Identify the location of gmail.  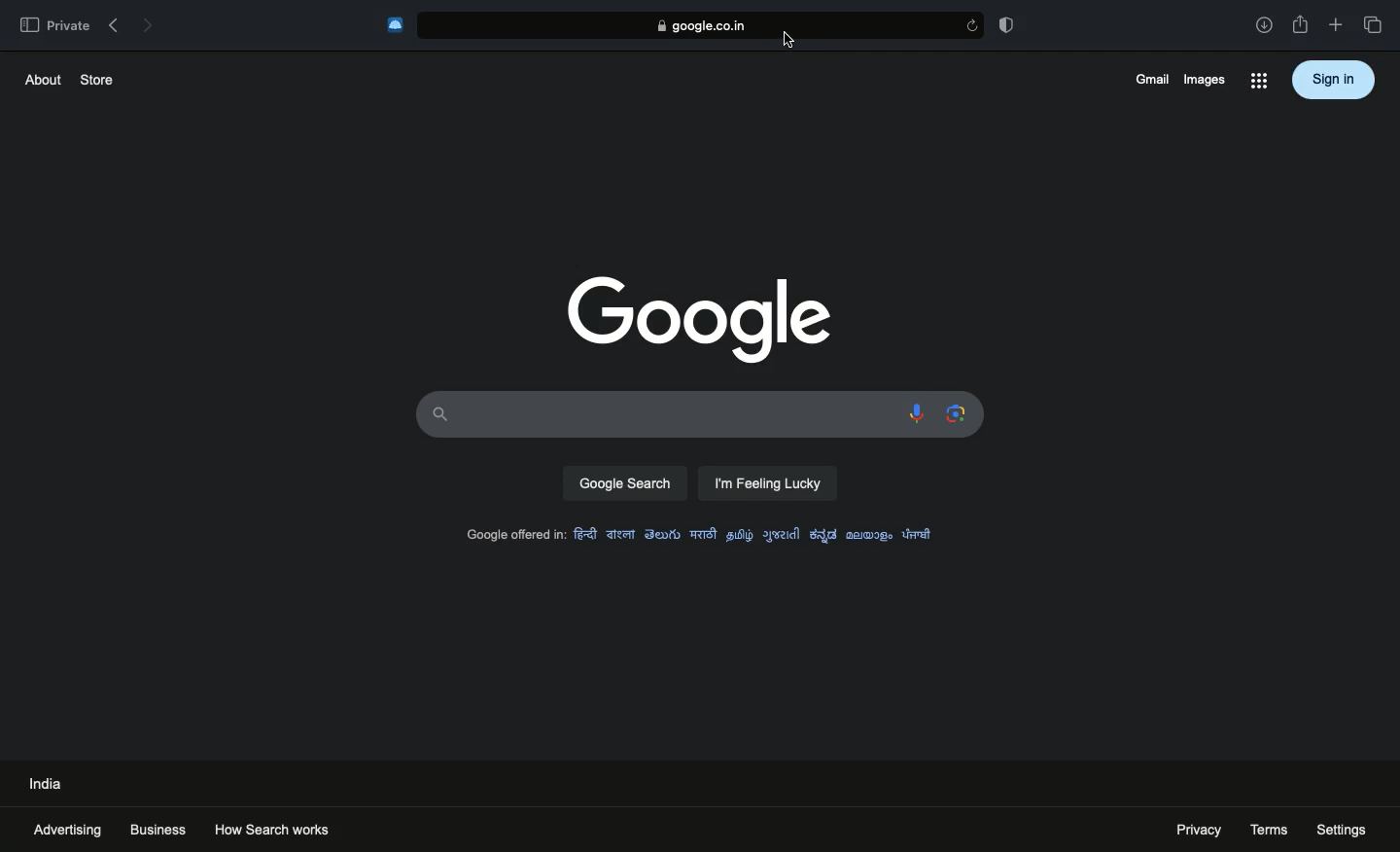
(1148, 79).